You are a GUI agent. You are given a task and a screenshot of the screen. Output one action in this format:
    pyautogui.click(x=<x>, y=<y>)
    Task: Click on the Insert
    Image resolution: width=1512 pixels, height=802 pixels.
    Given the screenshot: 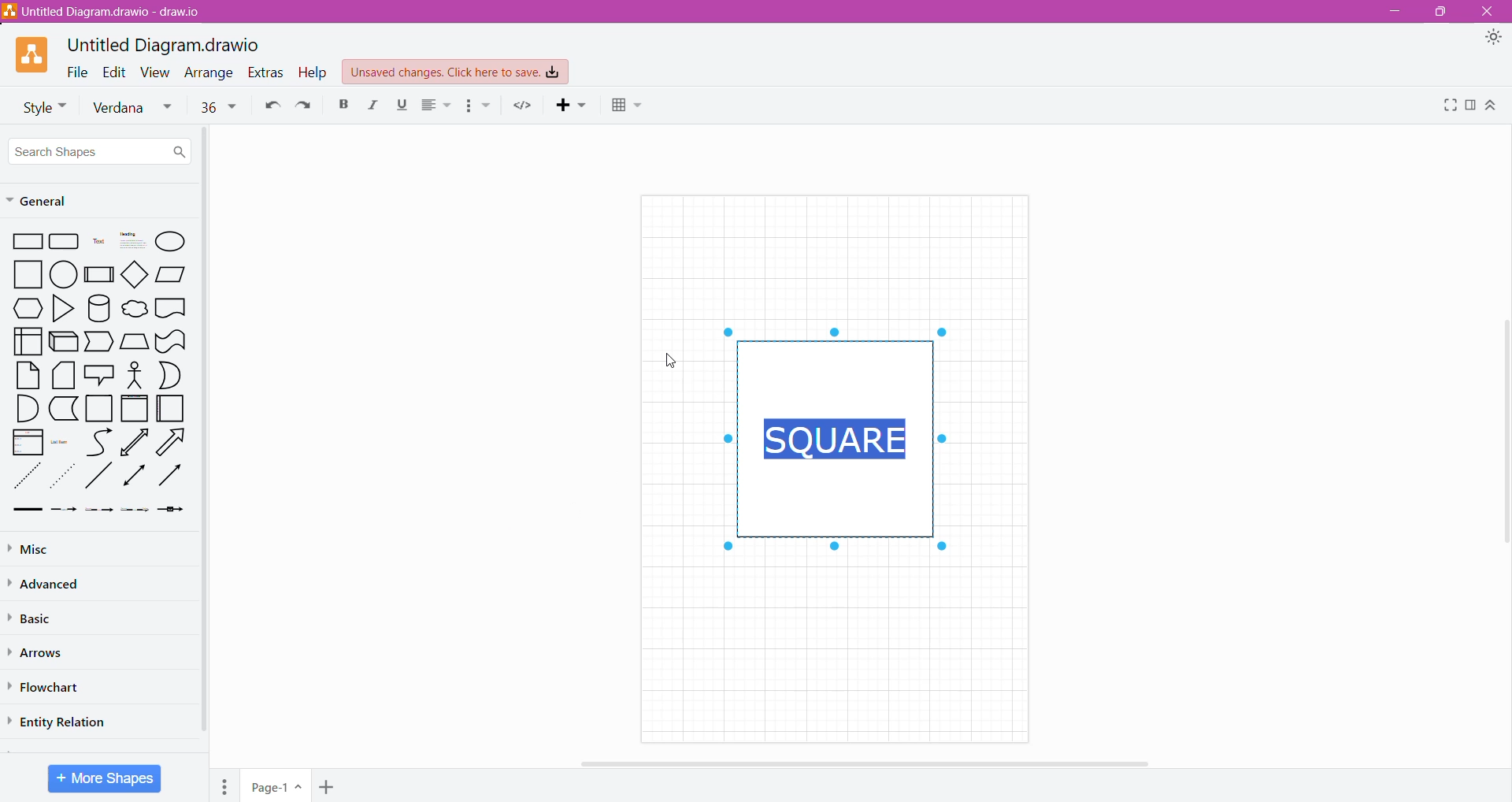 What is the action you would take?
    pyautogui.click(x=565, y=108)
    